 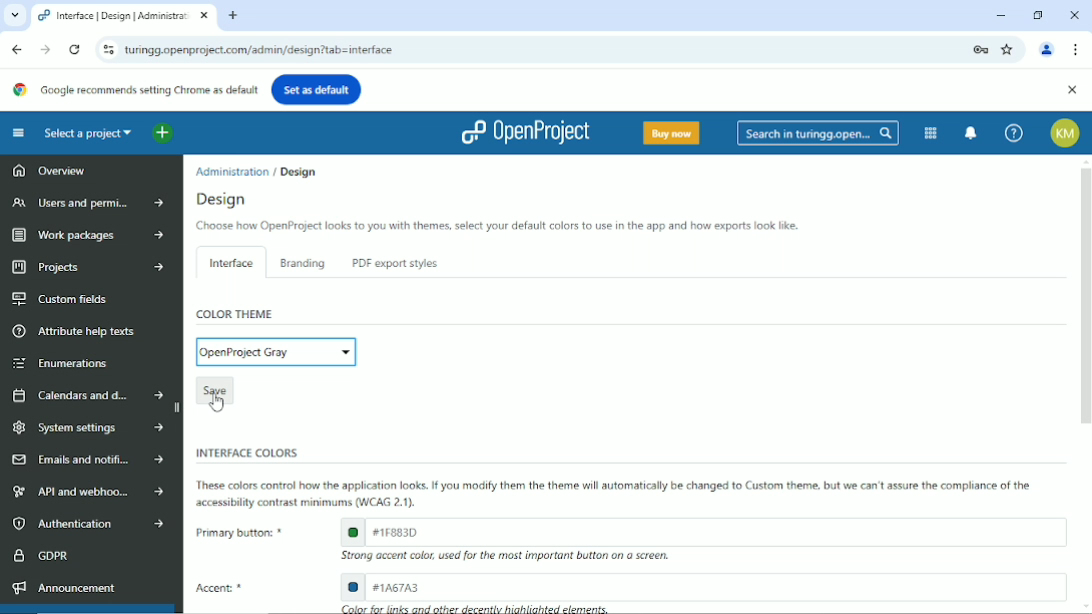 I want to click on Bookmark this tab, so click(x=1009, y=49).